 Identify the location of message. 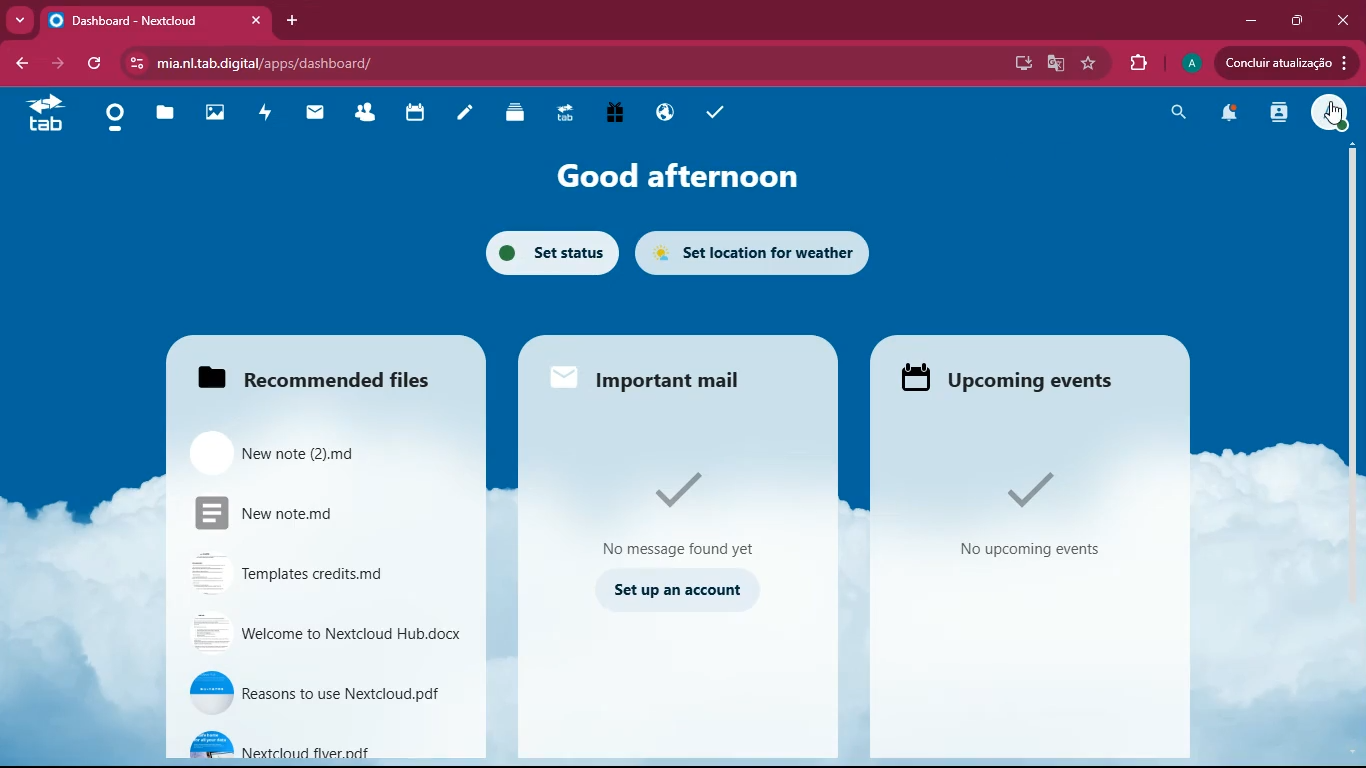
(677, 510).